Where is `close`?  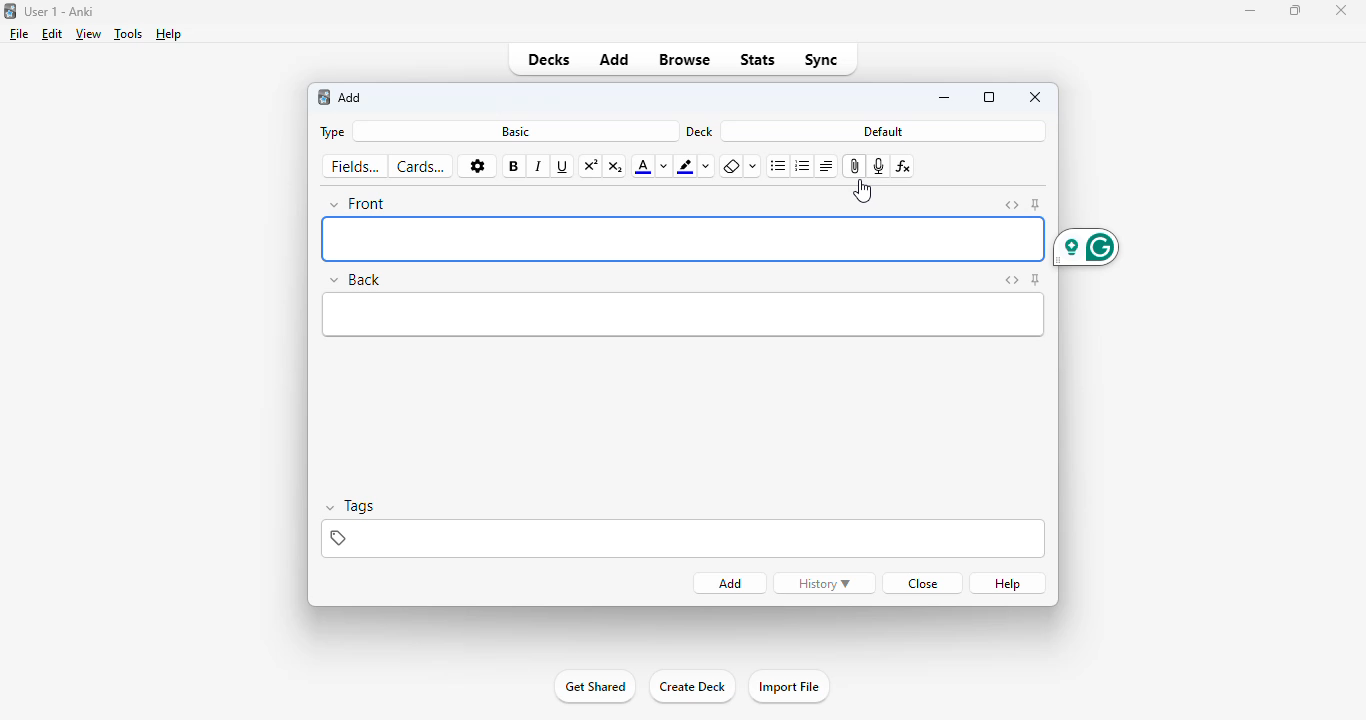 close is located at coordinates (1341, 10).